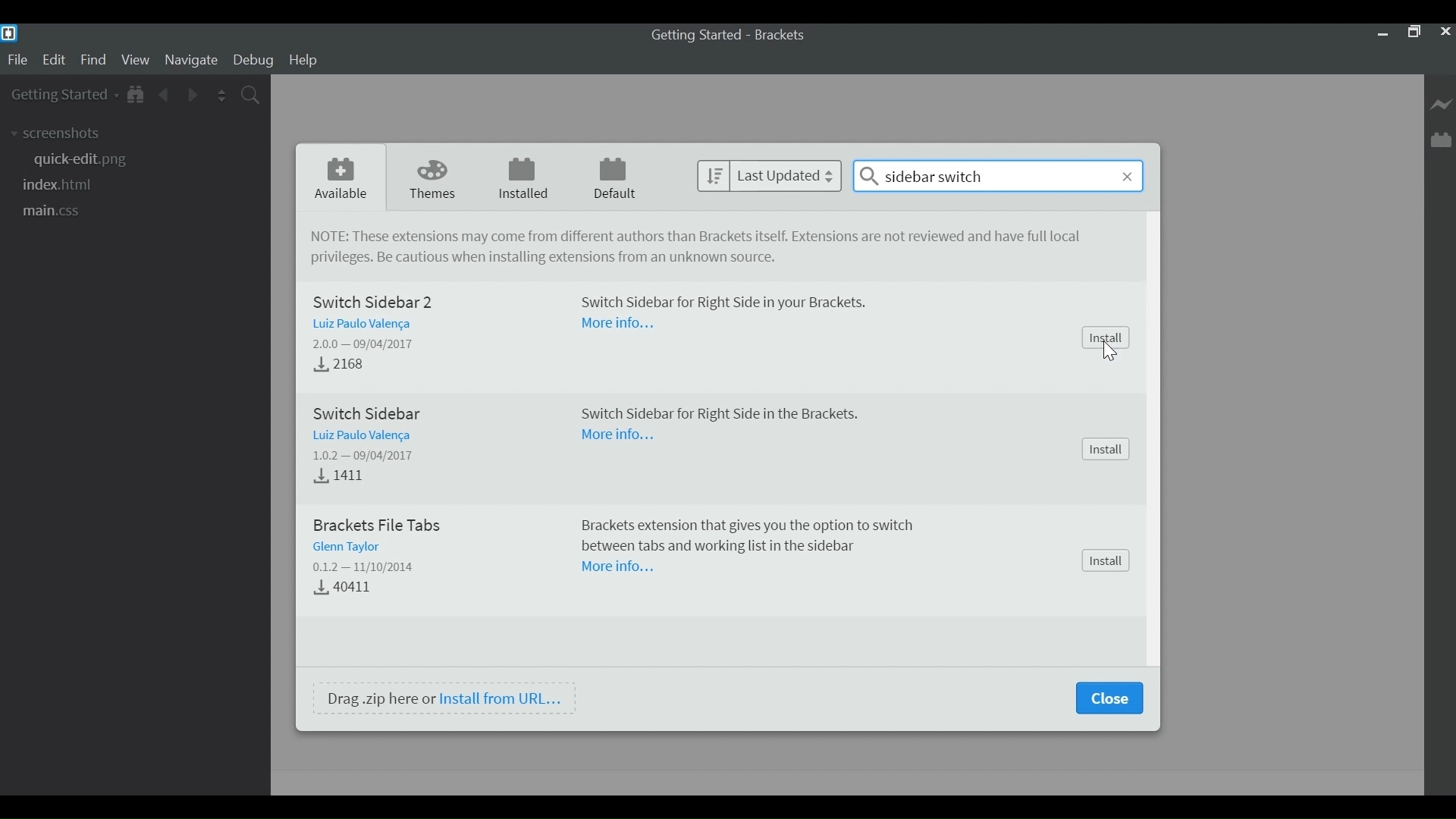 Image resolution: width=1456 pixels, height=819 pixels. I want to click on Debug, so click(256, 61).